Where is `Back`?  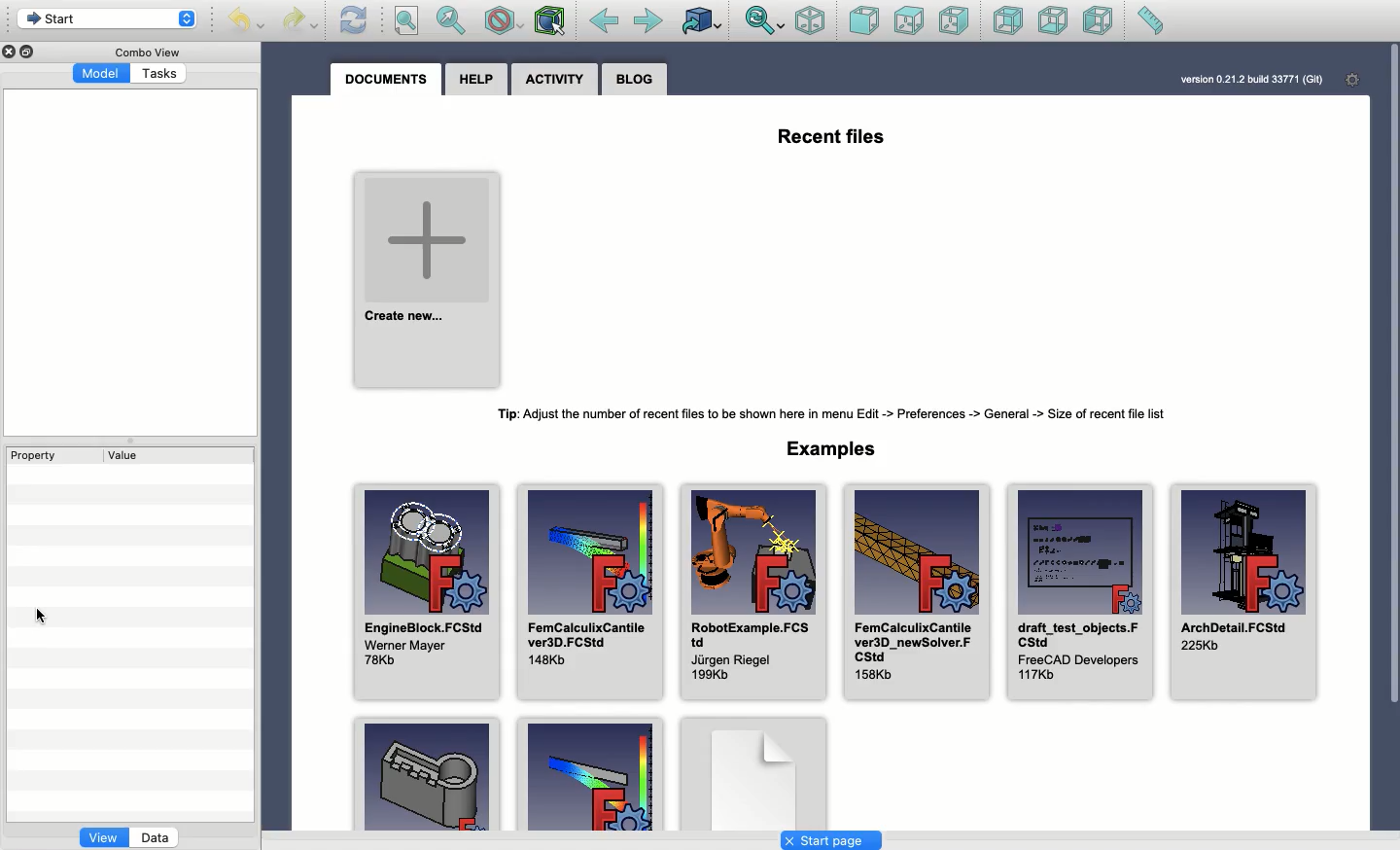
Back is located at coordinates (602, 24).